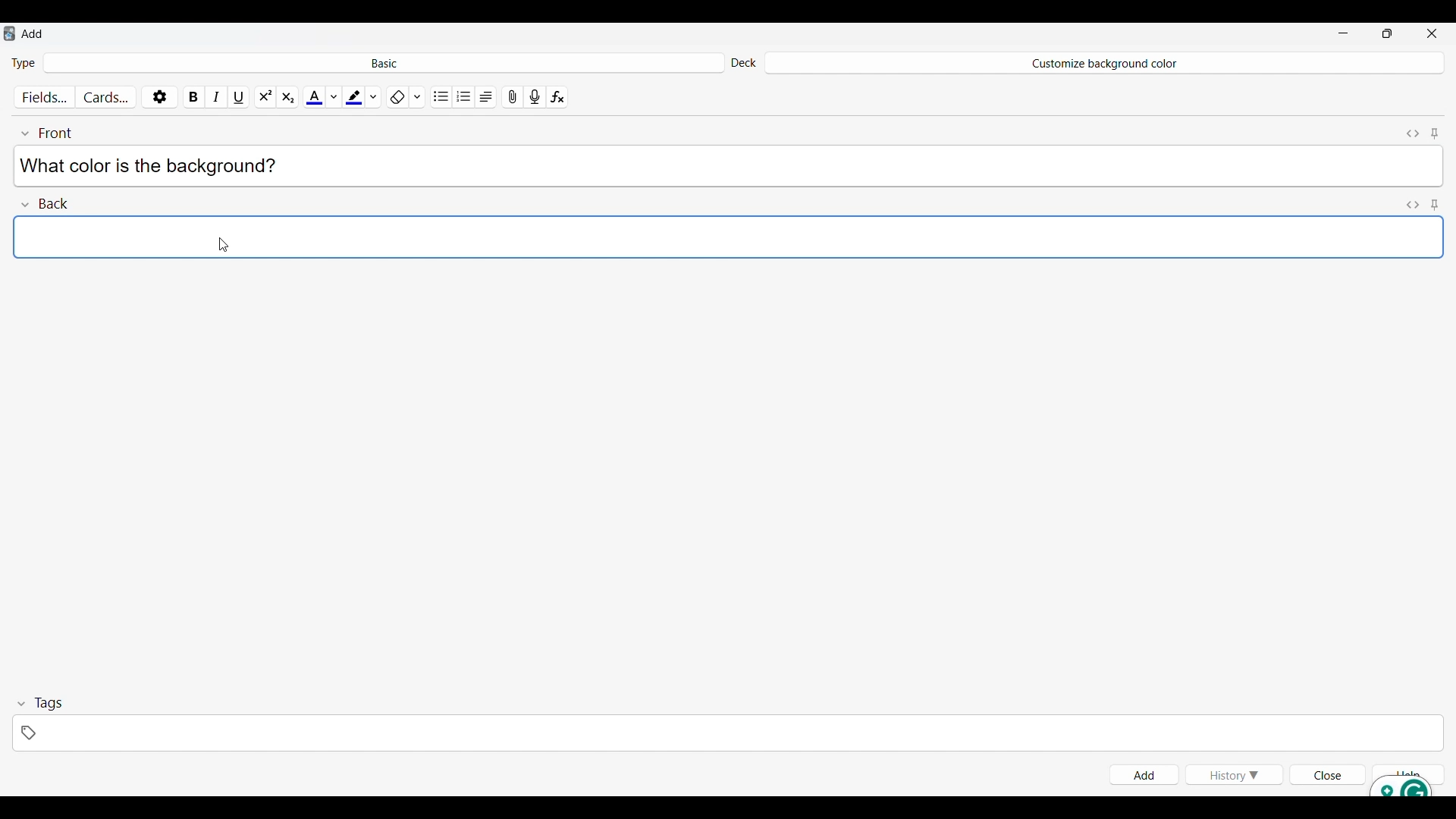  I want to click on Underline , so click(240, 94).